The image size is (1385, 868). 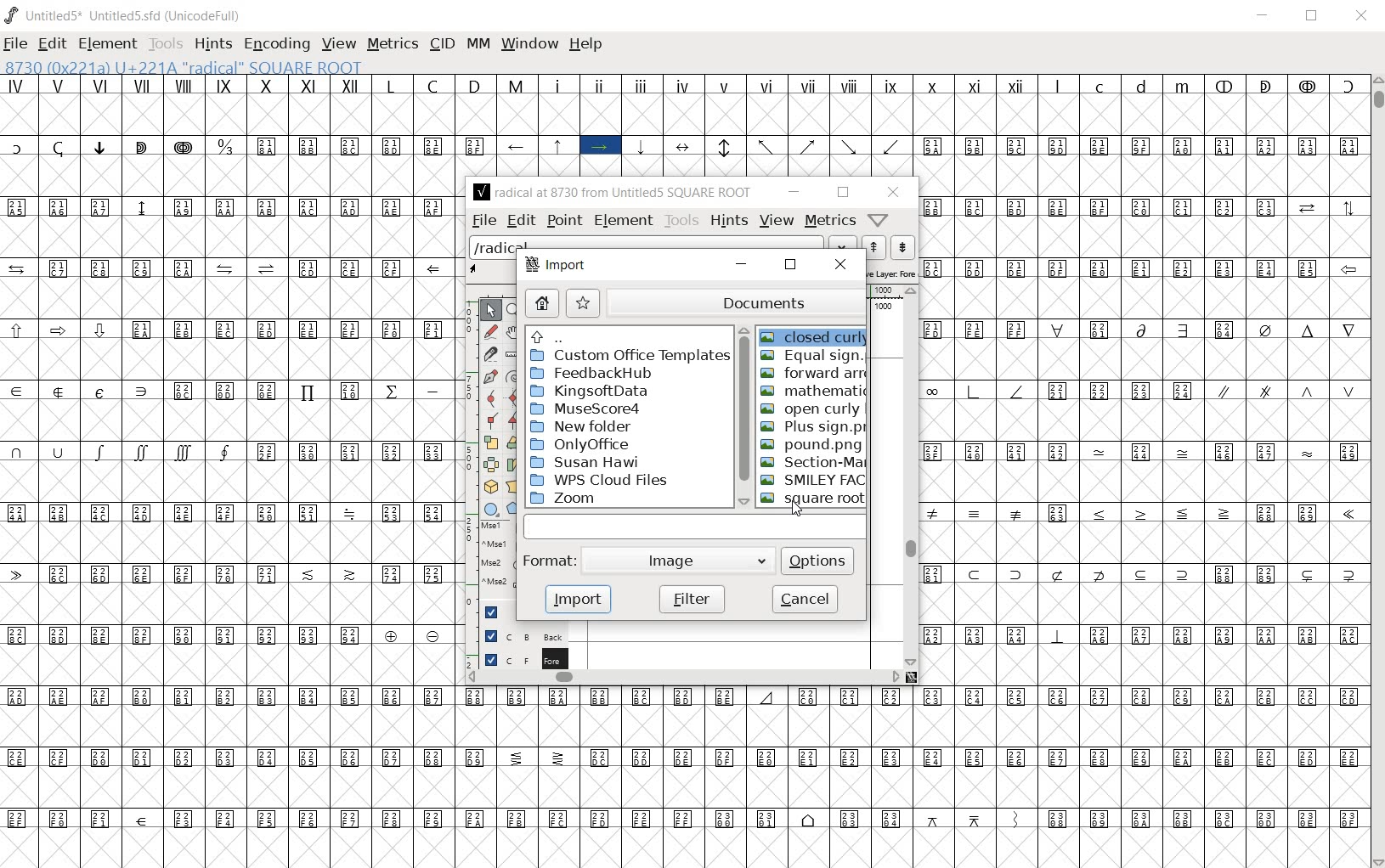 What do you see at coordinates (893, 272) in the screenshot?
I see `active layer: Fore` at bounding box center [893, 272].